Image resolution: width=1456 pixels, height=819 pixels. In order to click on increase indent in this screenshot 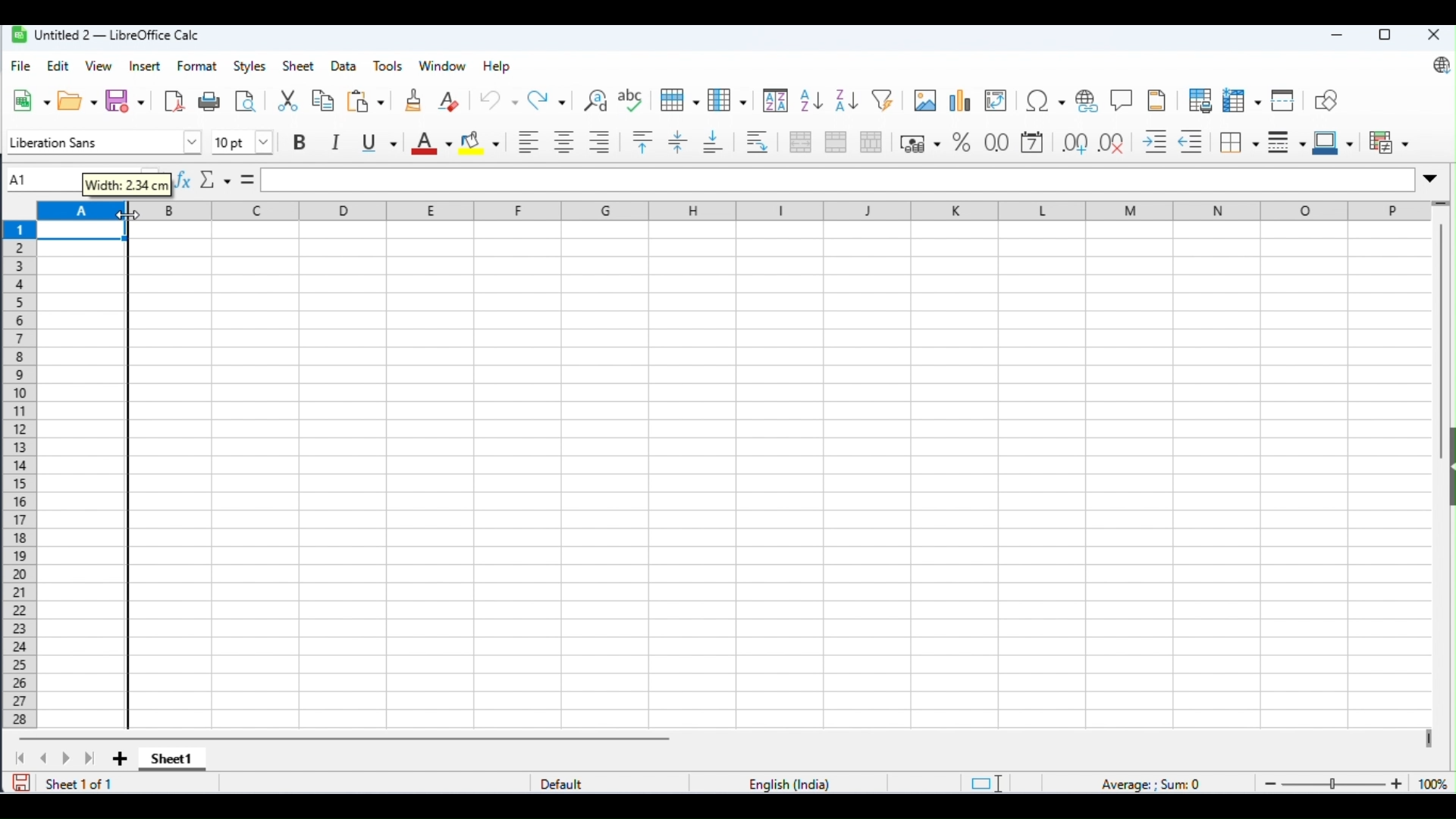, I will do `click(1156, 142)`.